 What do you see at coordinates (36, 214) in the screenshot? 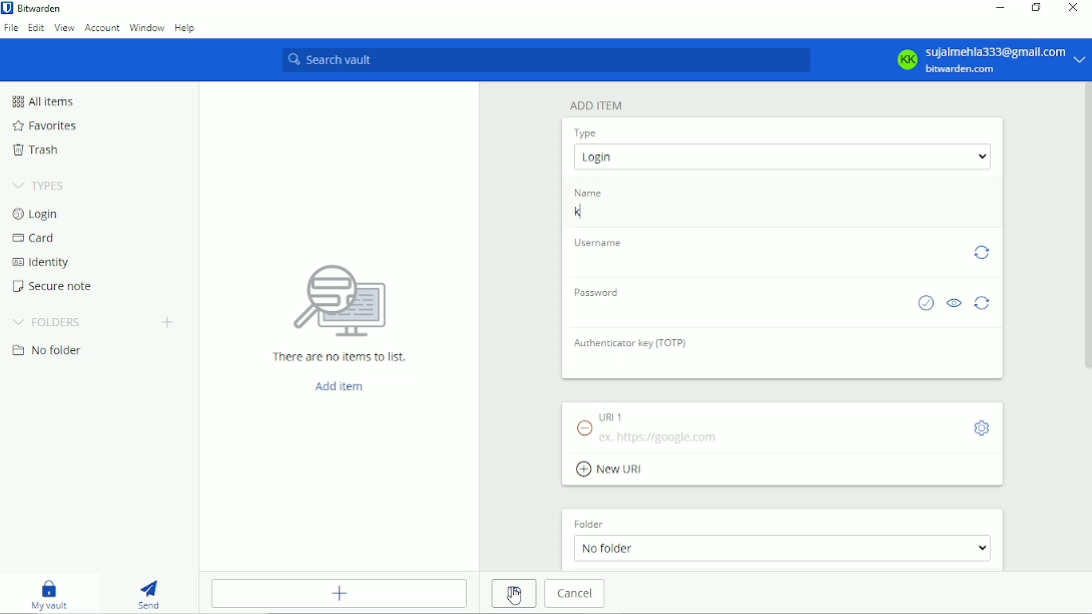
I see `Login` at bounding box center [36, 214].